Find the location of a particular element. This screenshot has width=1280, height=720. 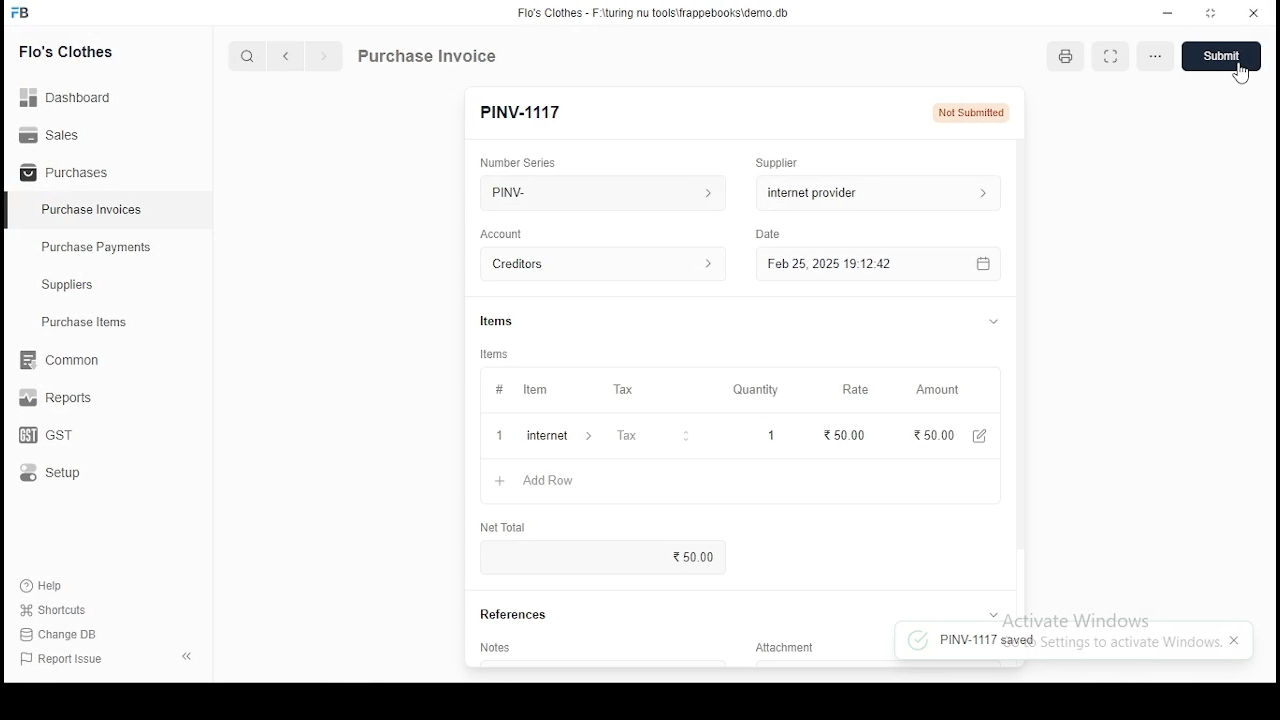

close pane is located at coordinates (185, 655).